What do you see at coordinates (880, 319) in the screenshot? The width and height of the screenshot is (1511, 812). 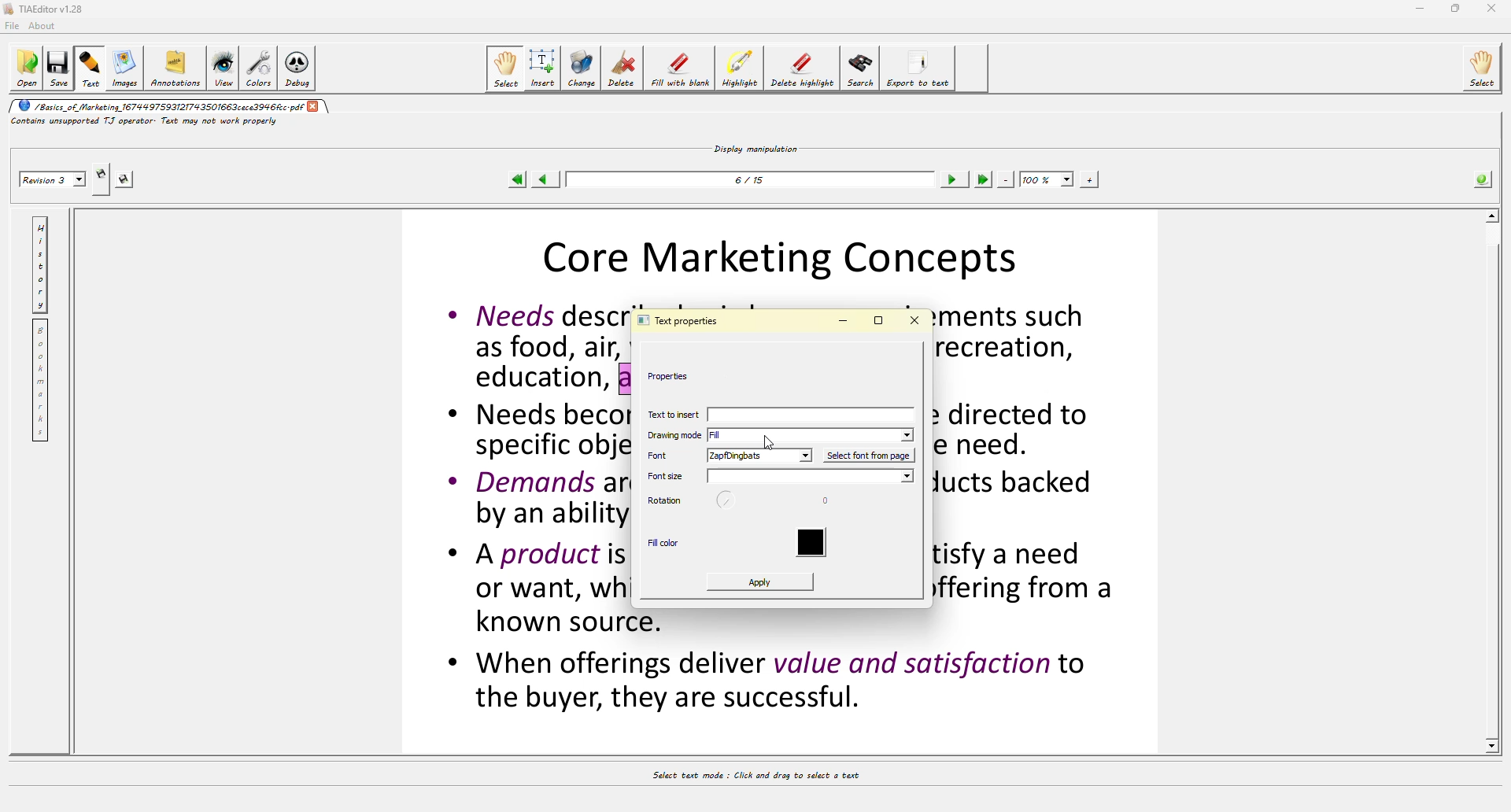 I see `maximize` at bounding box center [880, 319].